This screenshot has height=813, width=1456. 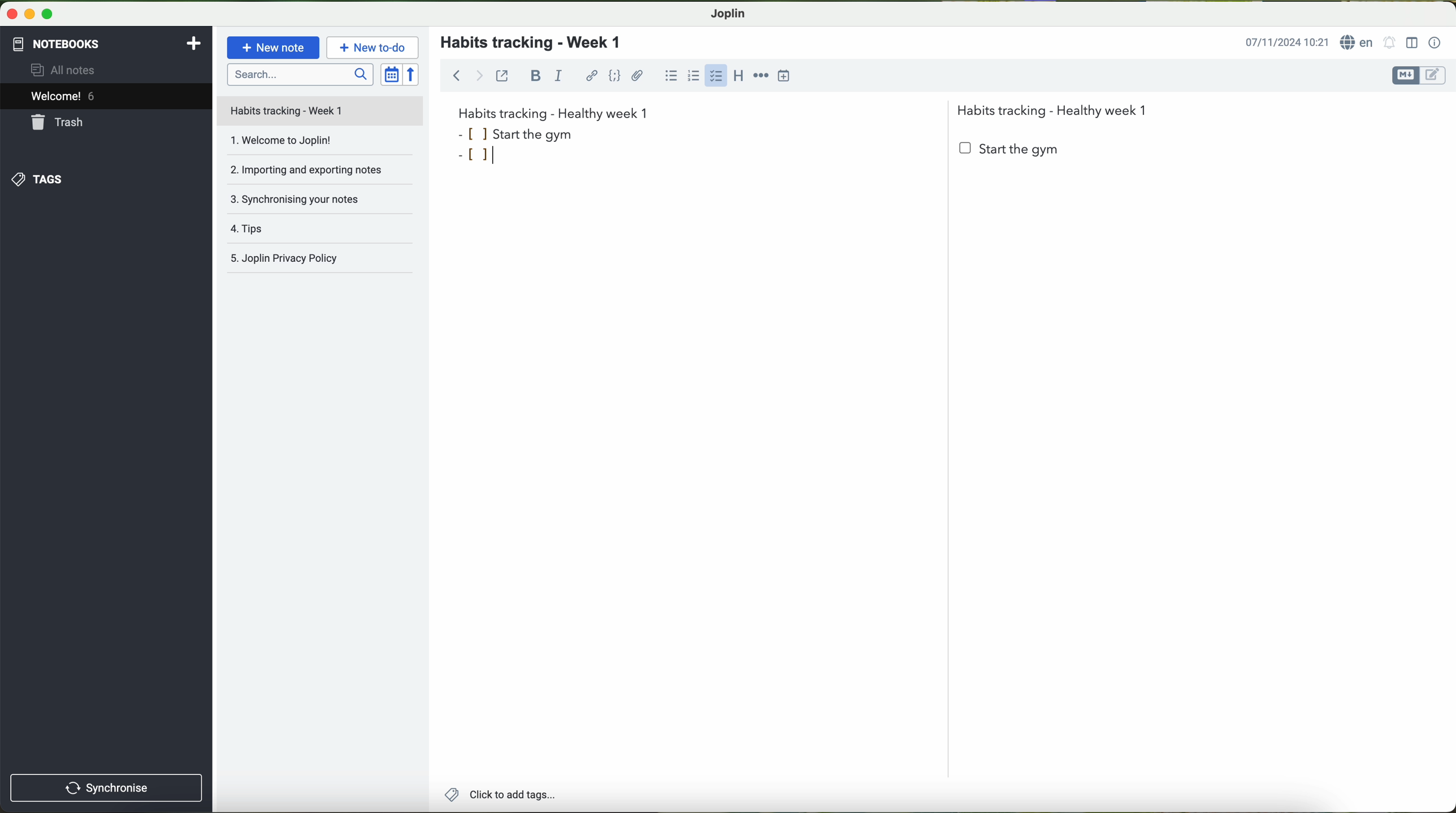 I want to click on language, so click(x=1358, y=42).